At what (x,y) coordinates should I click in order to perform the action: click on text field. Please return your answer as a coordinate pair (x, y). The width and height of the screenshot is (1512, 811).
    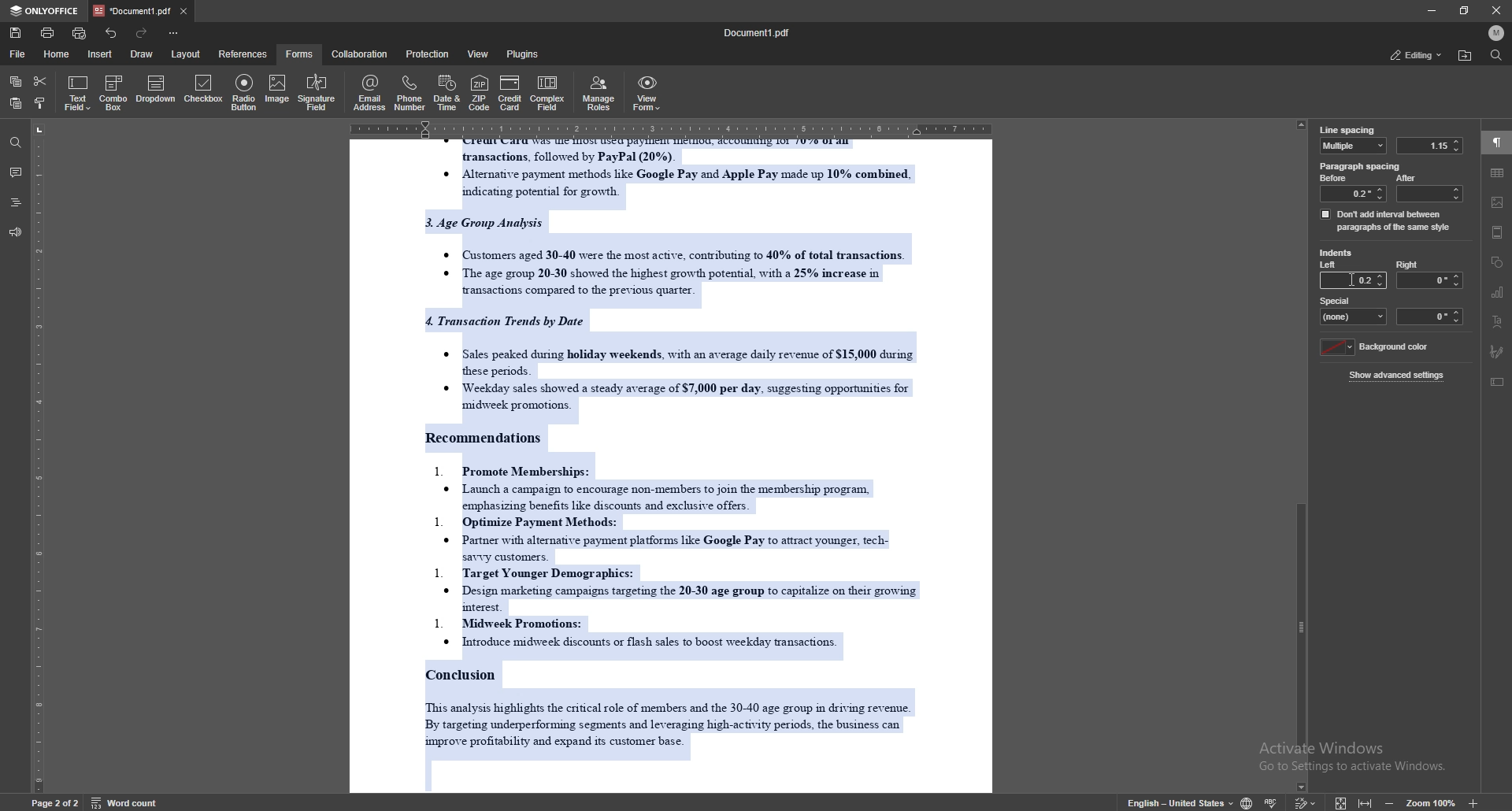
    Looking at the image, I should click on (78, 93).